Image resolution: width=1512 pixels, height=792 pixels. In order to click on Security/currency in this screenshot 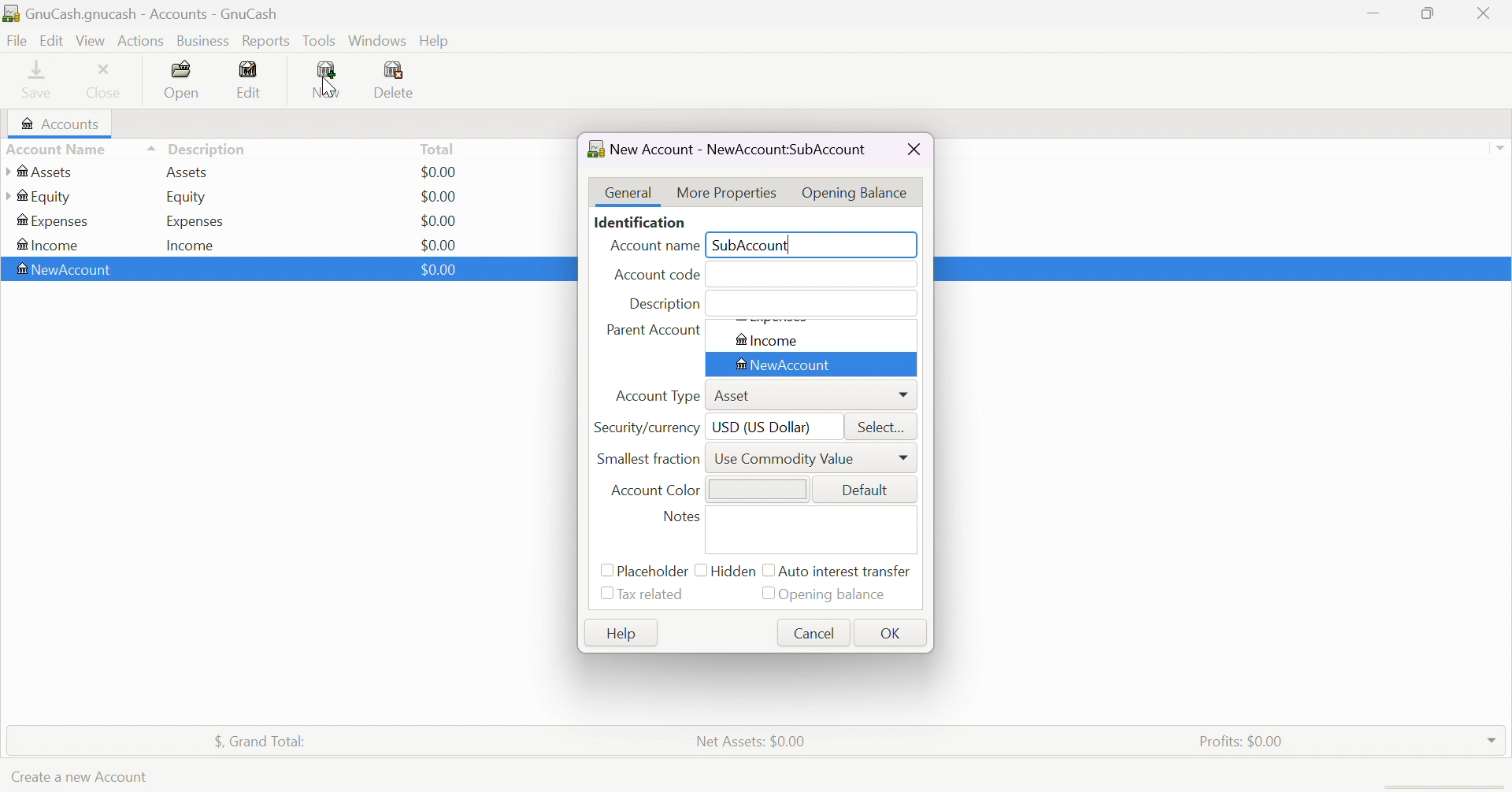, I will do `click(646, 430)`.